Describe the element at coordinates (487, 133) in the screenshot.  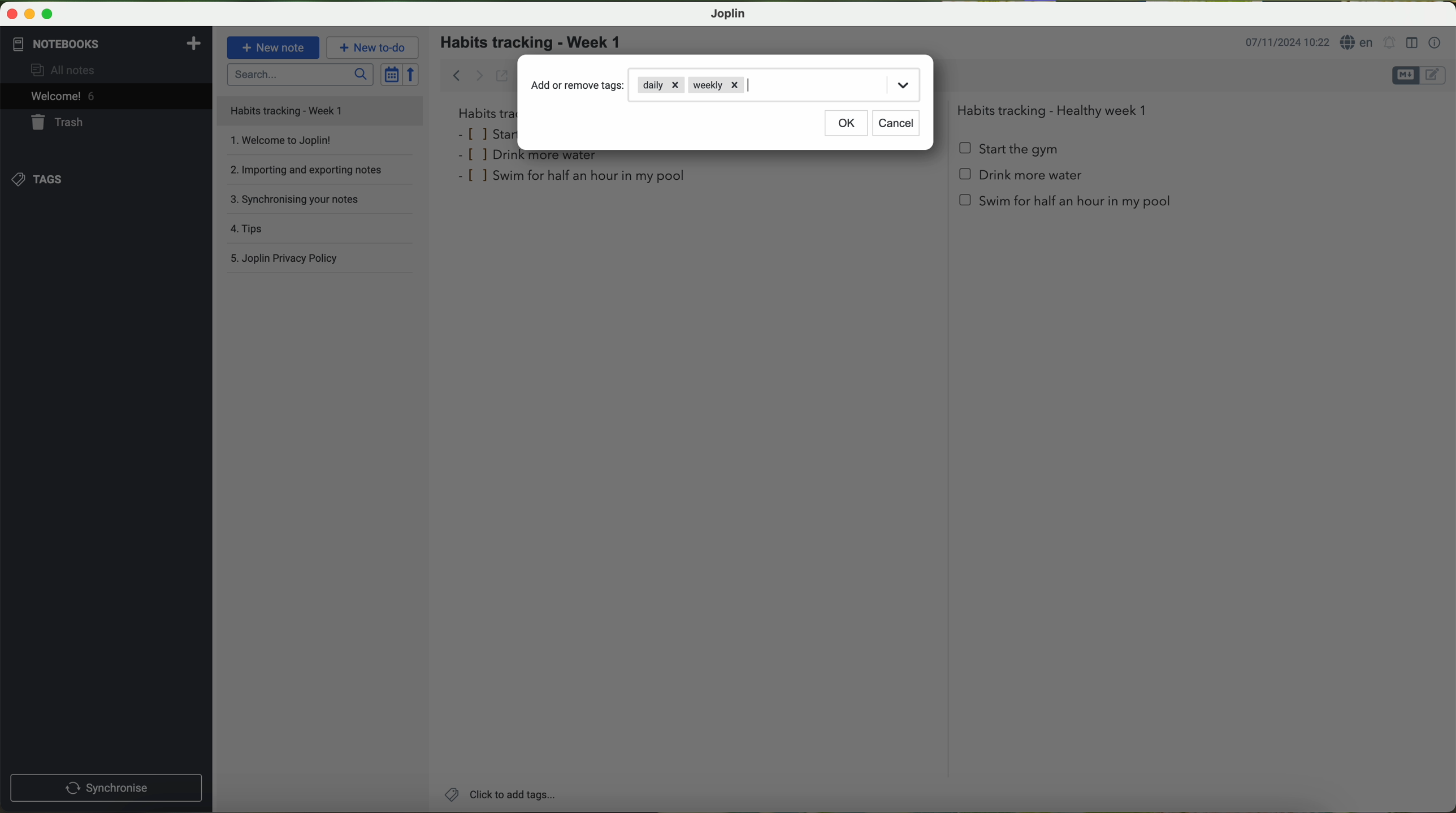
I see `star` at that location.